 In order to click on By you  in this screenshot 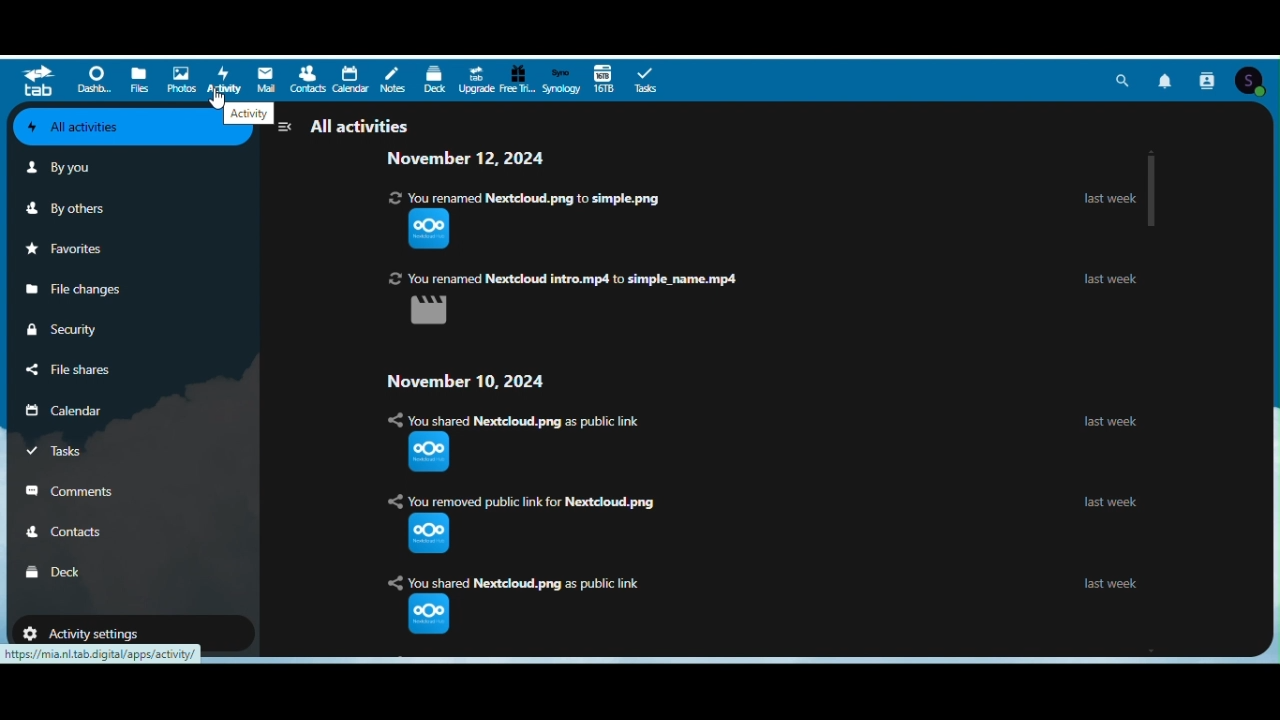, I will do `click(66, 167)`.